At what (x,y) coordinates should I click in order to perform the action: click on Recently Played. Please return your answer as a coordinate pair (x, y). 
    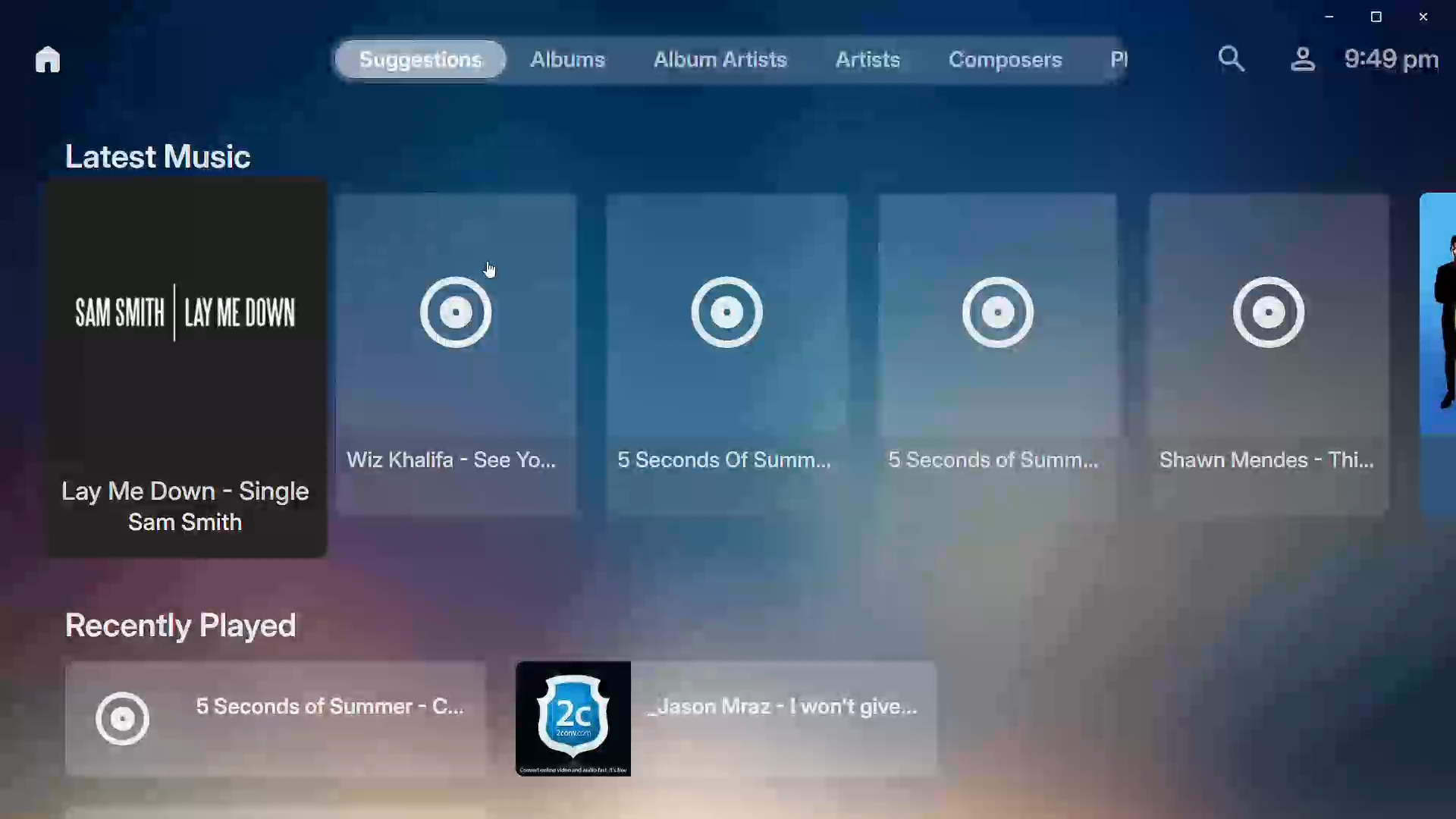
    Looking at the image, I should click on (180, 625).